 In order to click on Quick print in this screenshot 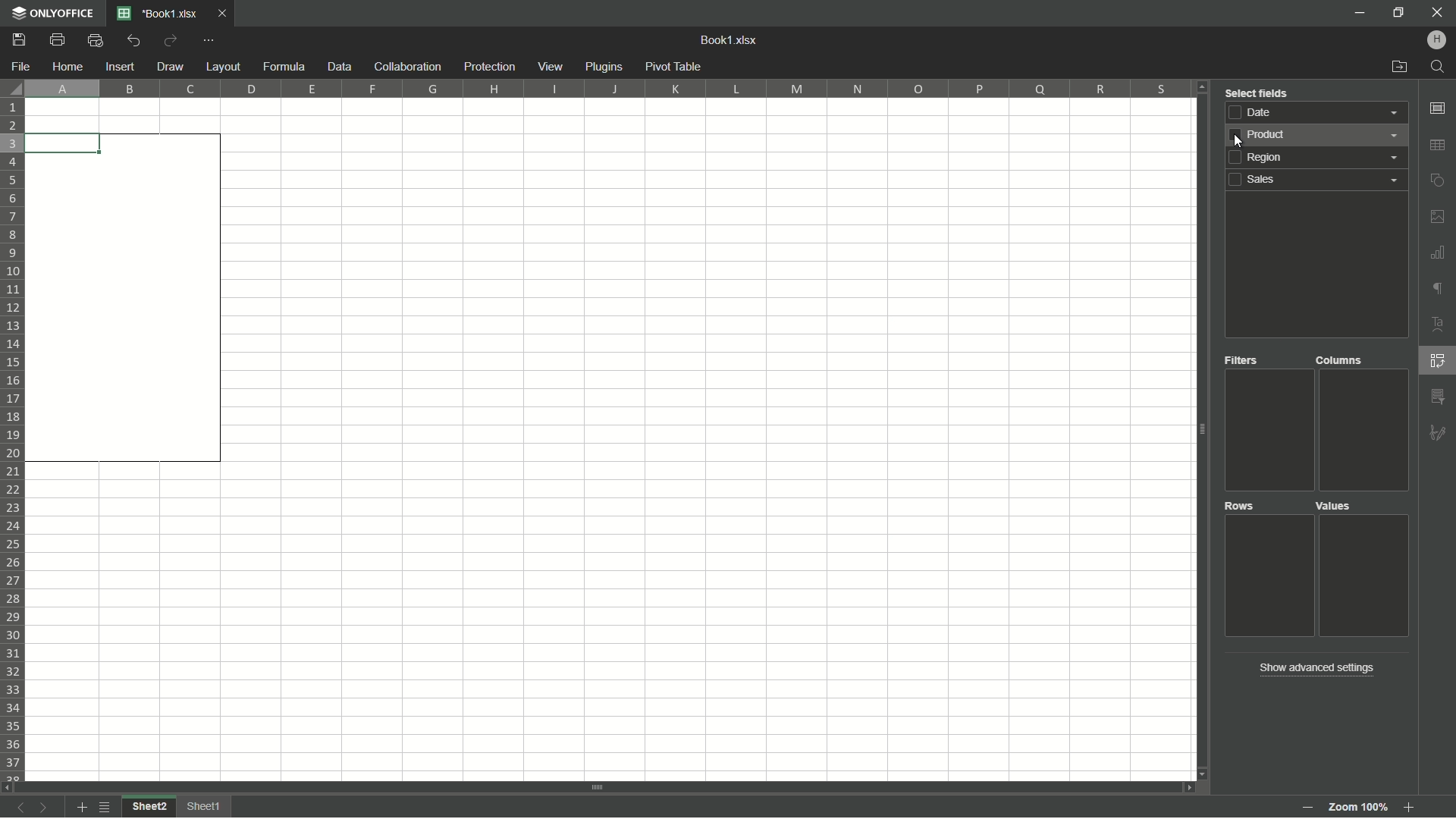, I will do `click(94, 42)`.